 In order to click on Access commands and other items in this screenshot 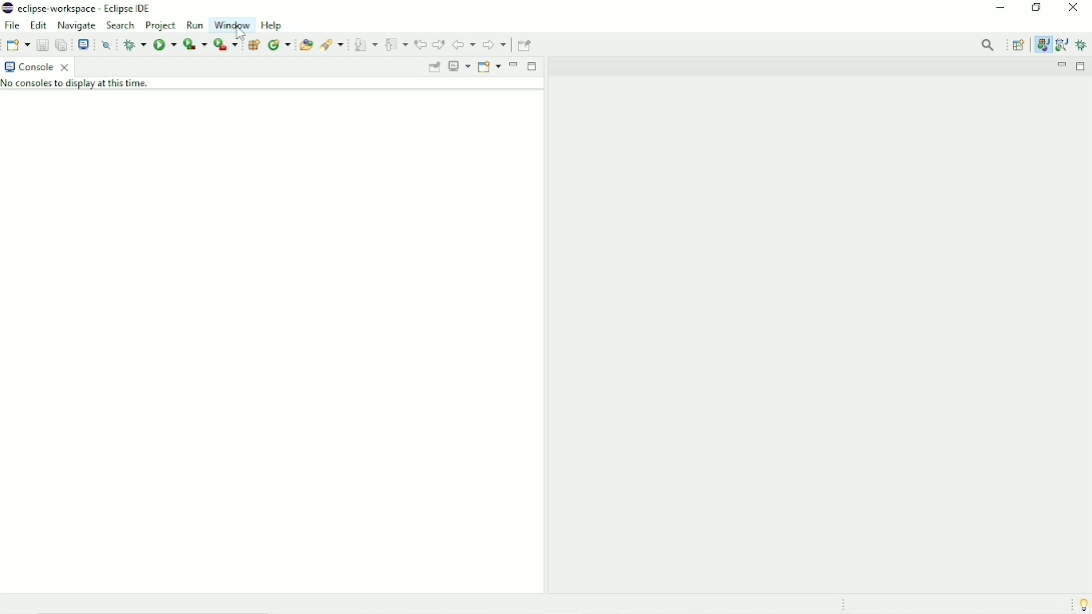, I will do `click(989, 44)`.